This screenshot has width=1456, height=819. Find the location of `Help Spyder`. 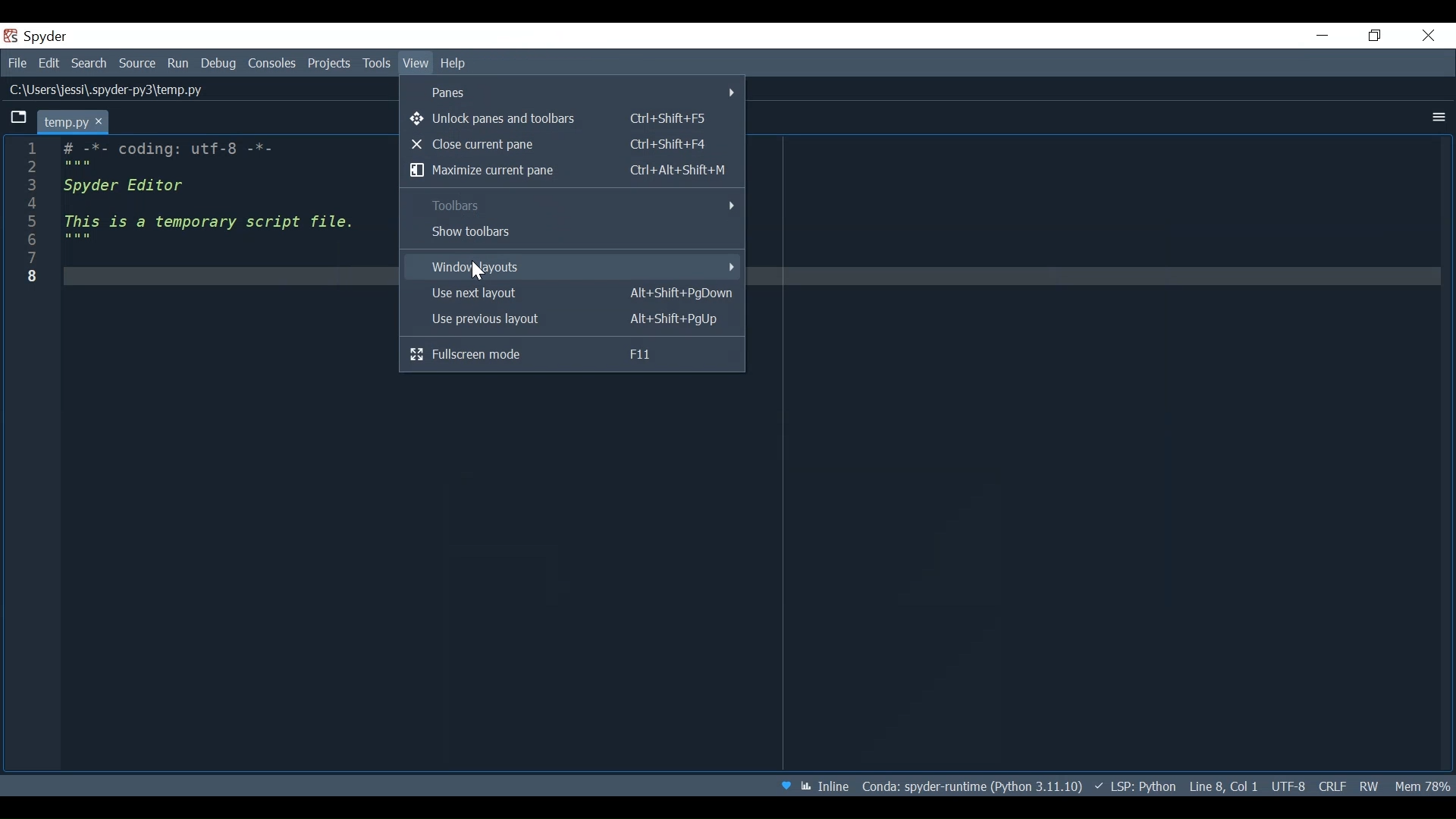

Help Spyder is located at coordinates (784, 785).